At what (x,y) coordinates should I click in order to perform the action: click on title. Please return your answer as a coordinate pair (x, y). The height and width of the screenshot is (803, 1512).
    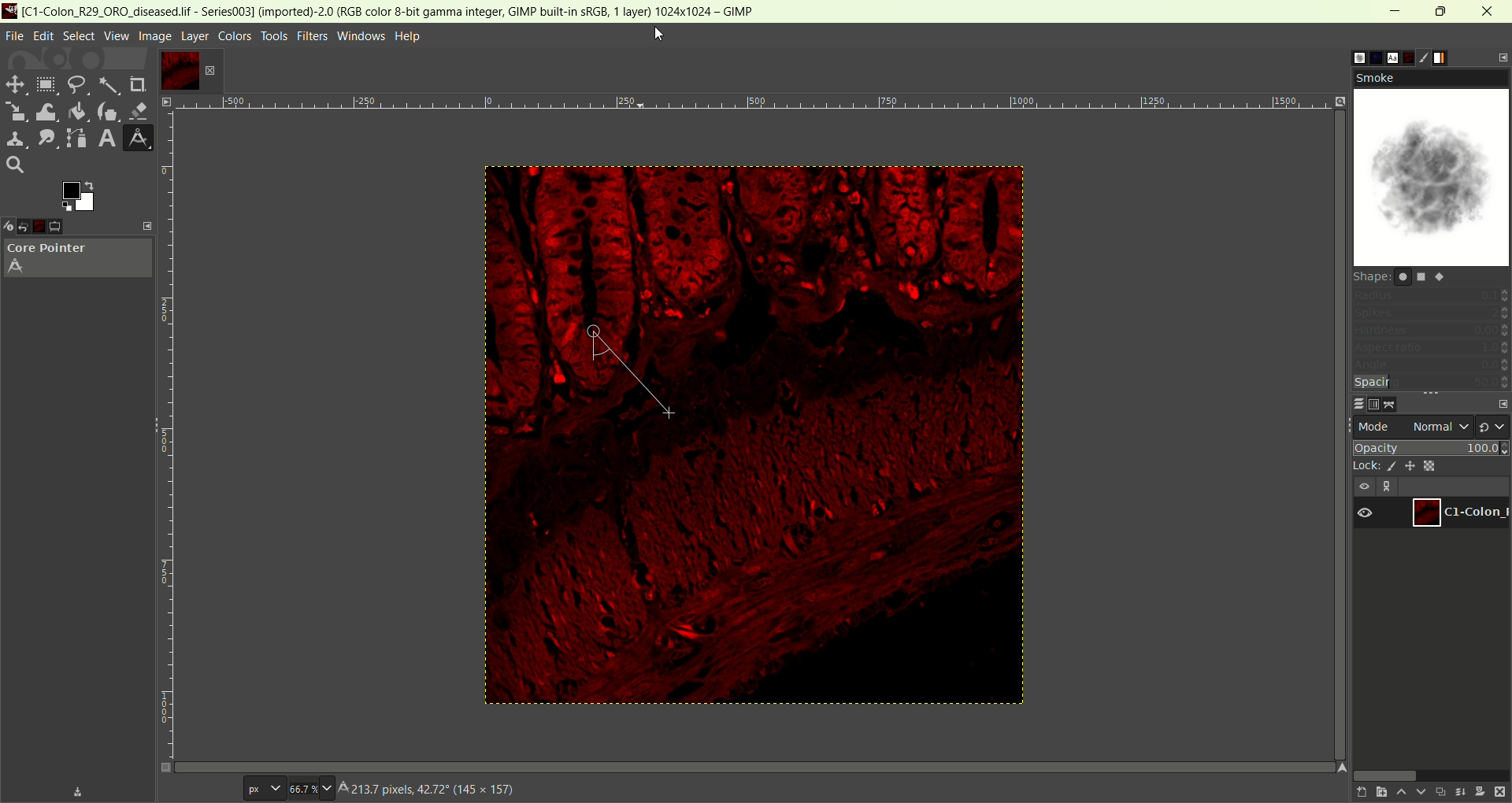
    Looking at the image, I should click on (398, 11).